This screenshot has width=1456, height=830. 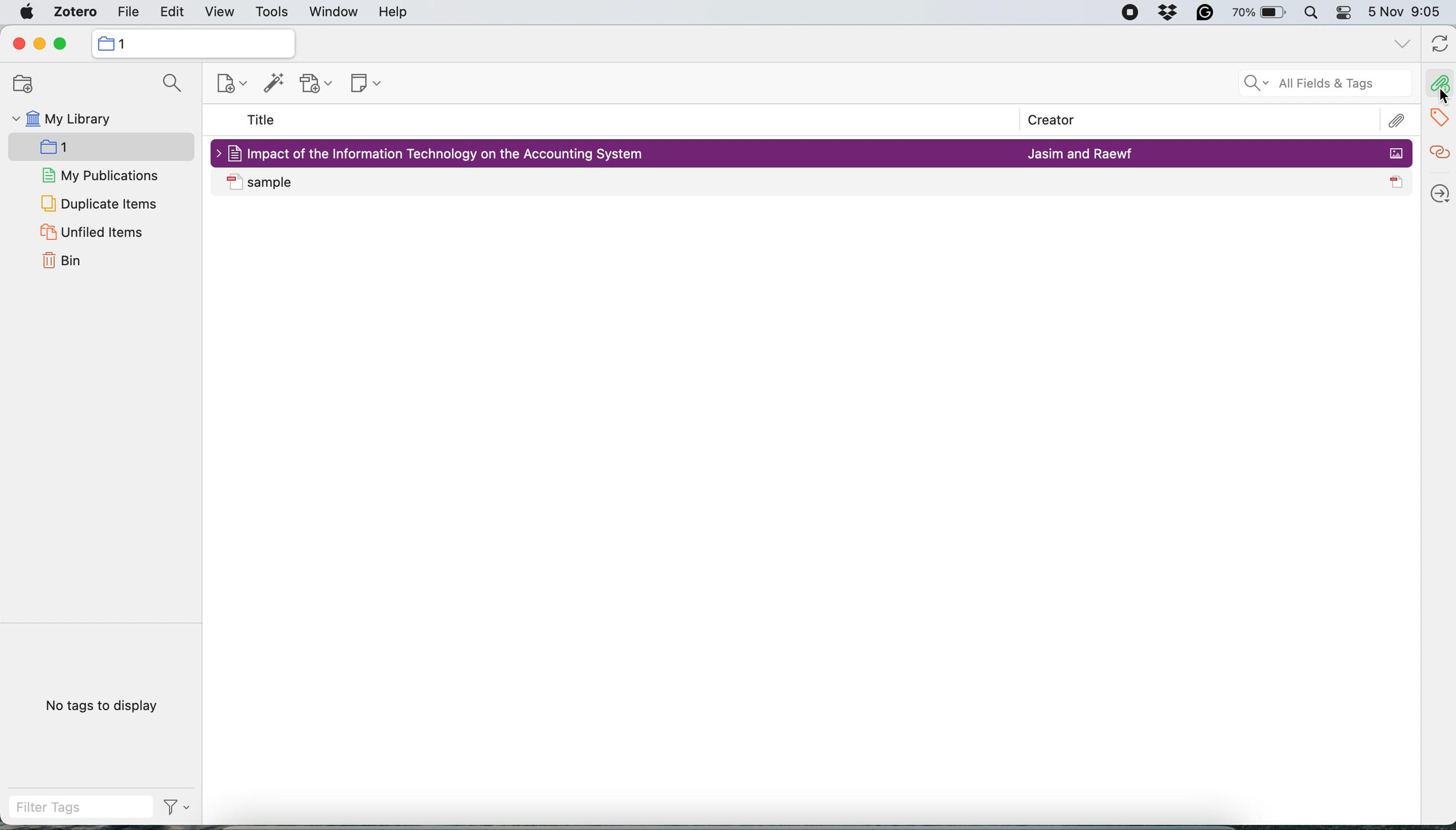 What do you see at coordinates (361, 81) in the screenshot?
I see `new note` at bounding box center [361, 81].